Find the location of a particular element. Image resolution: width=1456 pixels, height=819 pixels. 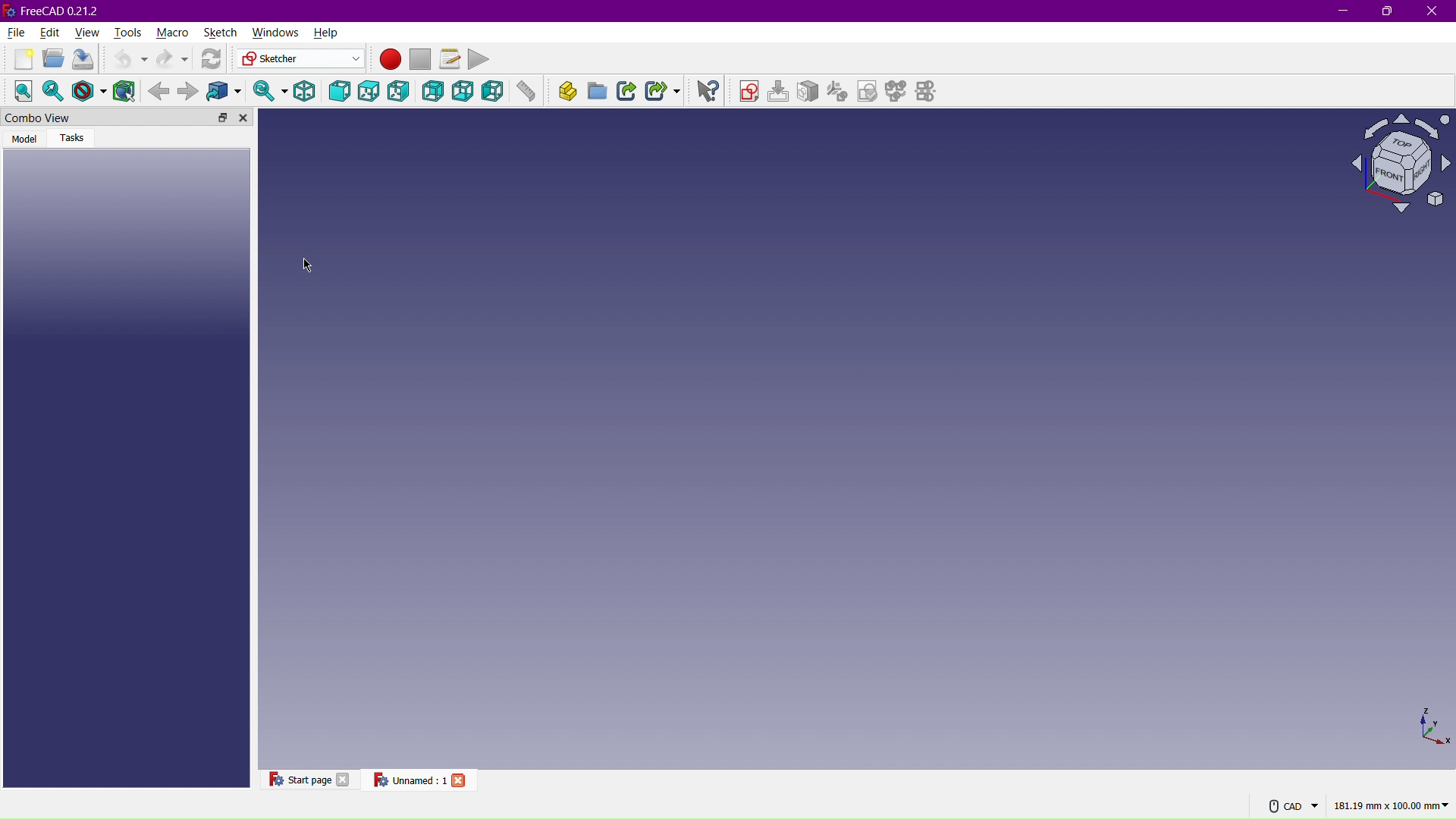

Create part is located at coordinates (567, 90).